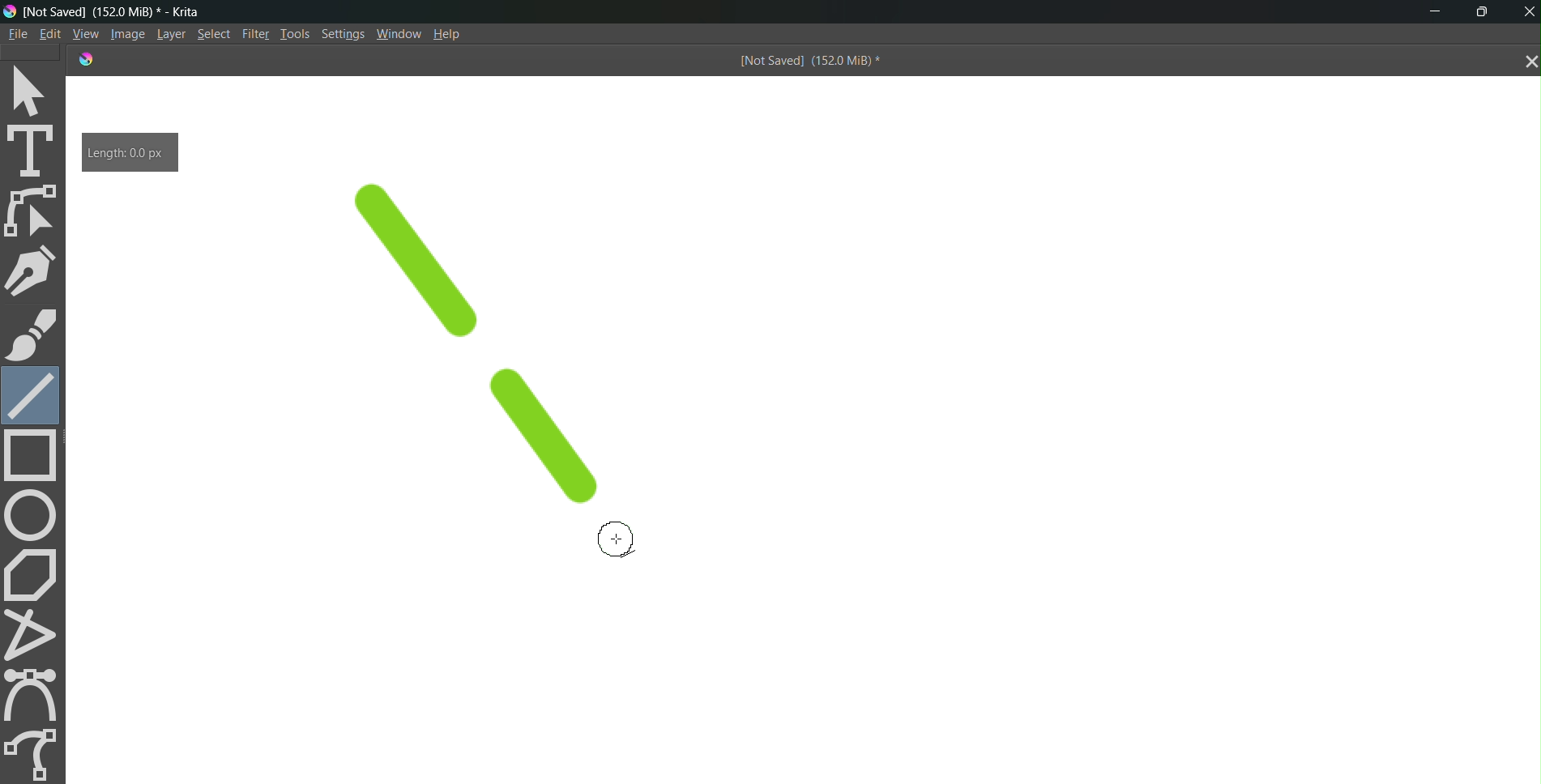 This screenshot has width=1541, height=784. I want to click on select, so click(35, 89).